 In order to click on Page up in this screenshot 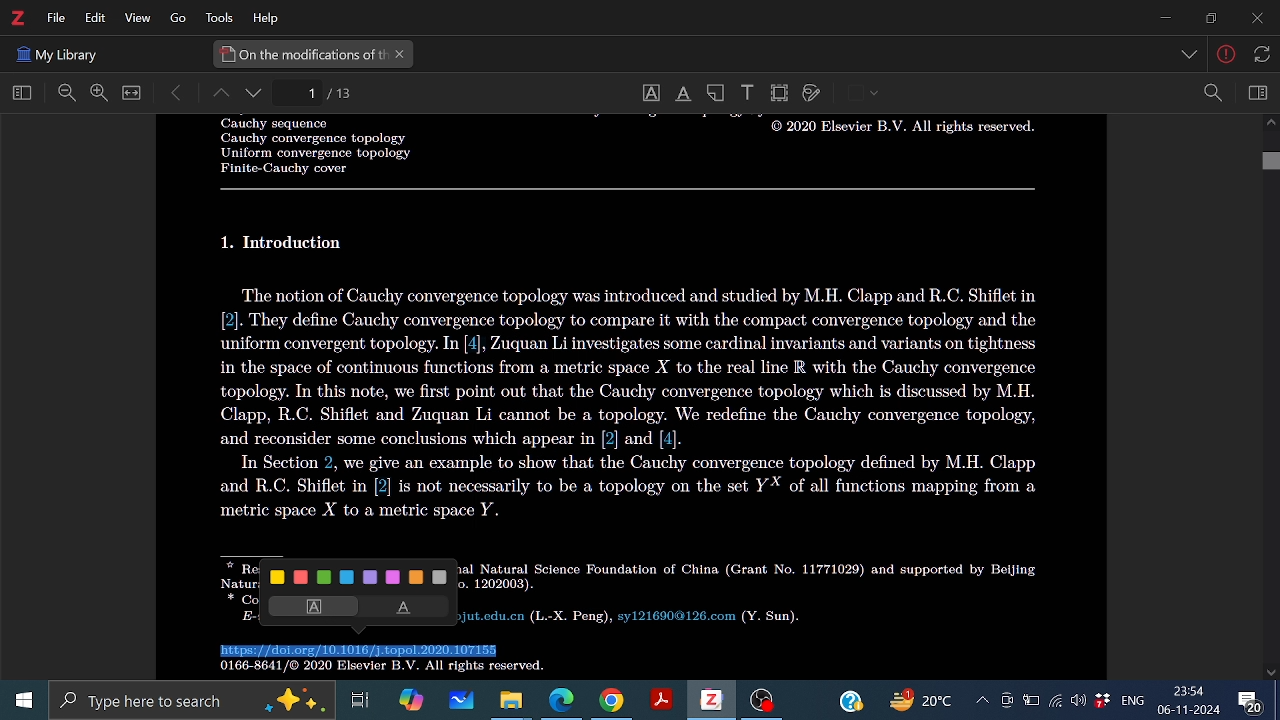, I will do `click(219, 95)`.